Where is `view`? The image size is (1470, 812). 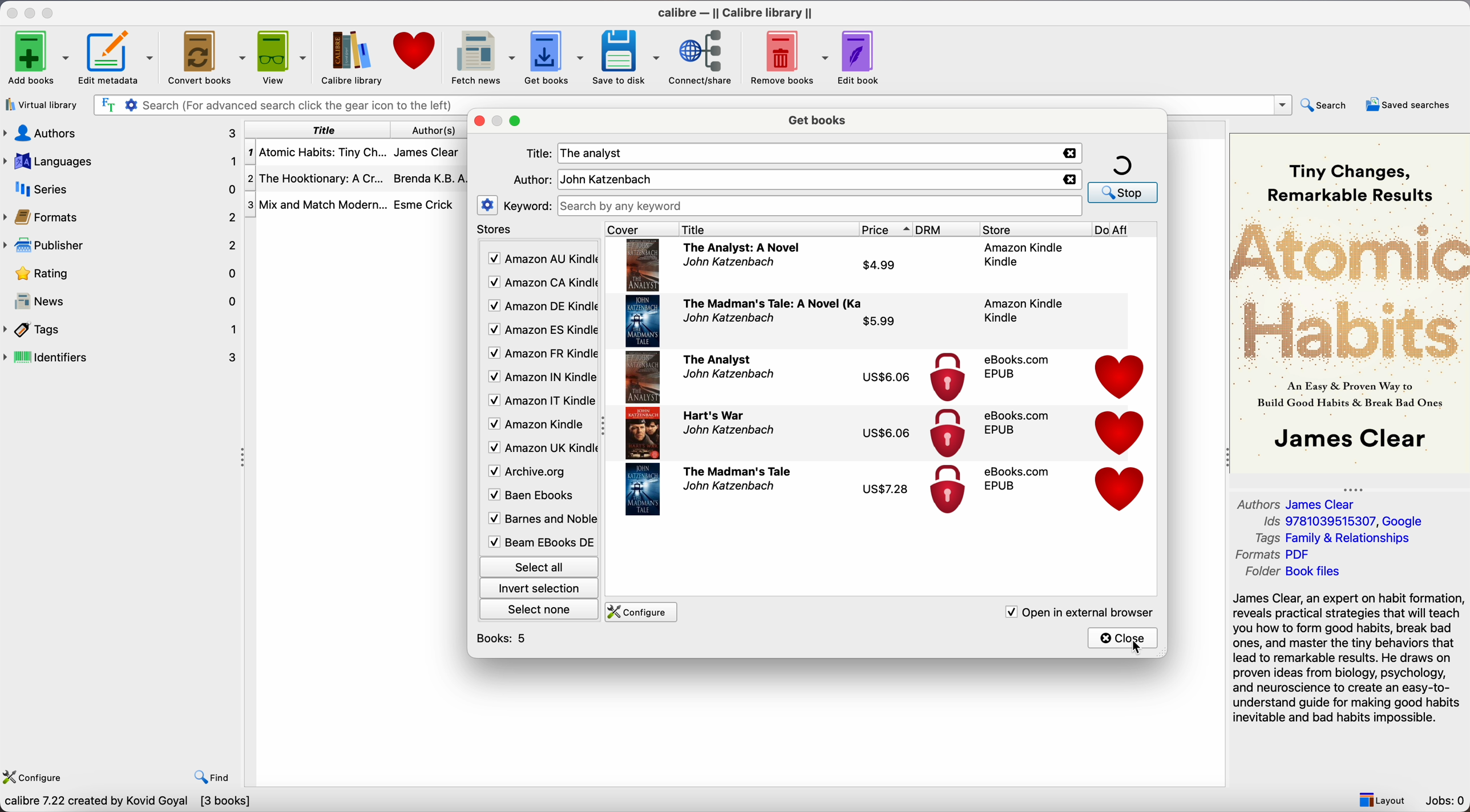
view is located at coordinates (281, 57).